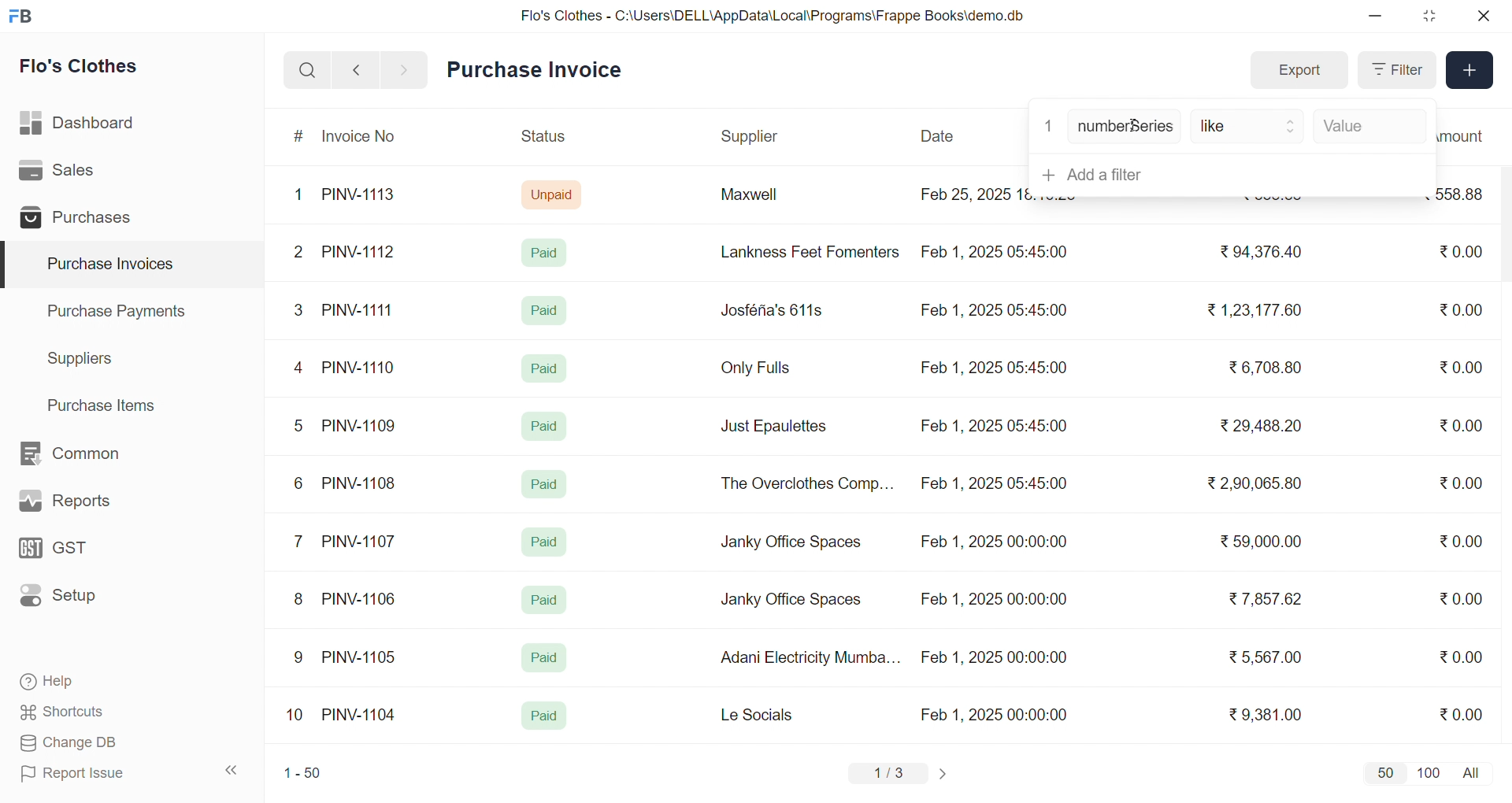  I want to click on search, so click(307, 70).